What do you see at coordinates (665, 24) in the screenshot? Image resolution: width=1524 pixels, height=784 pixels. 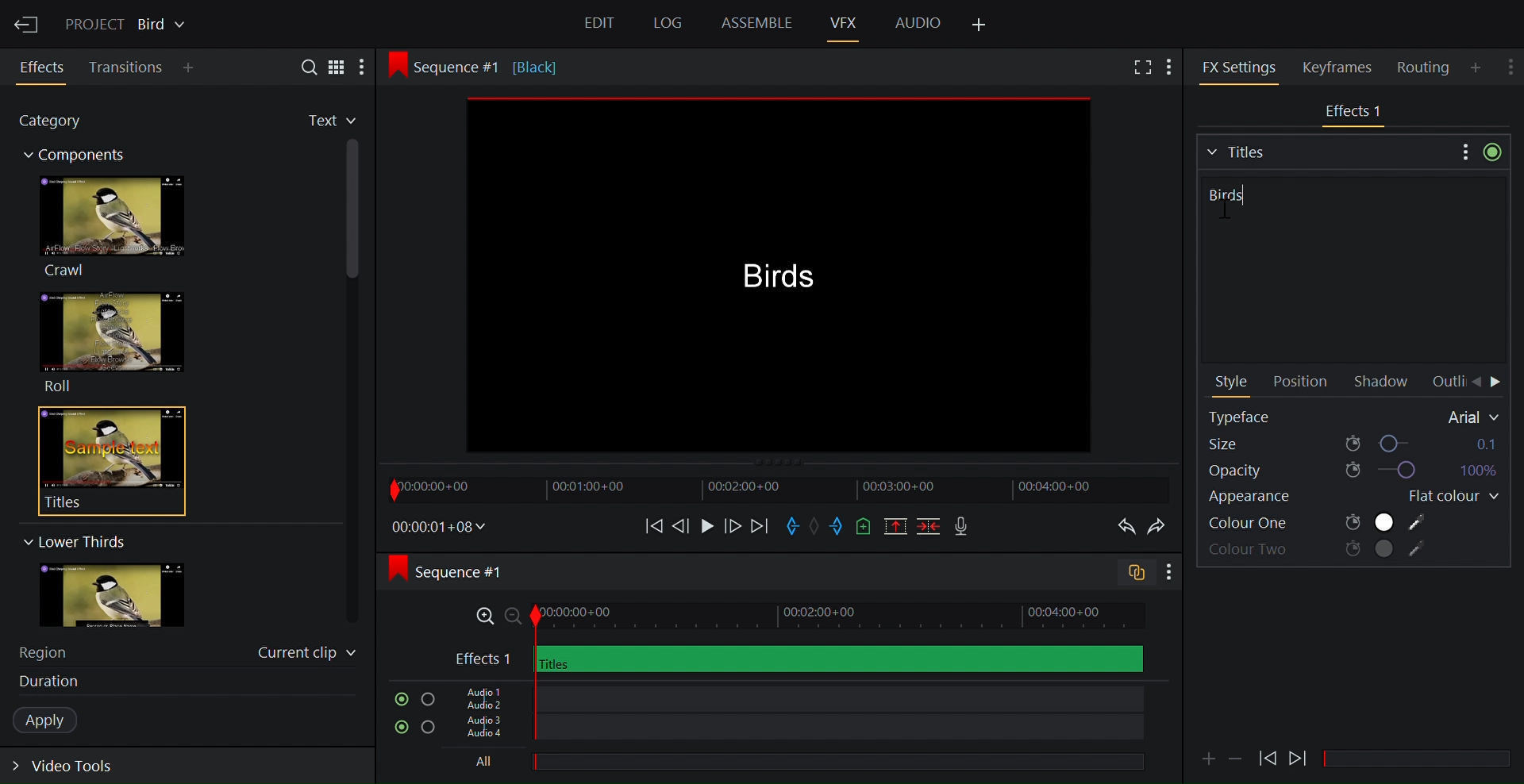 I see `Log` at bounding box center [665, 24].